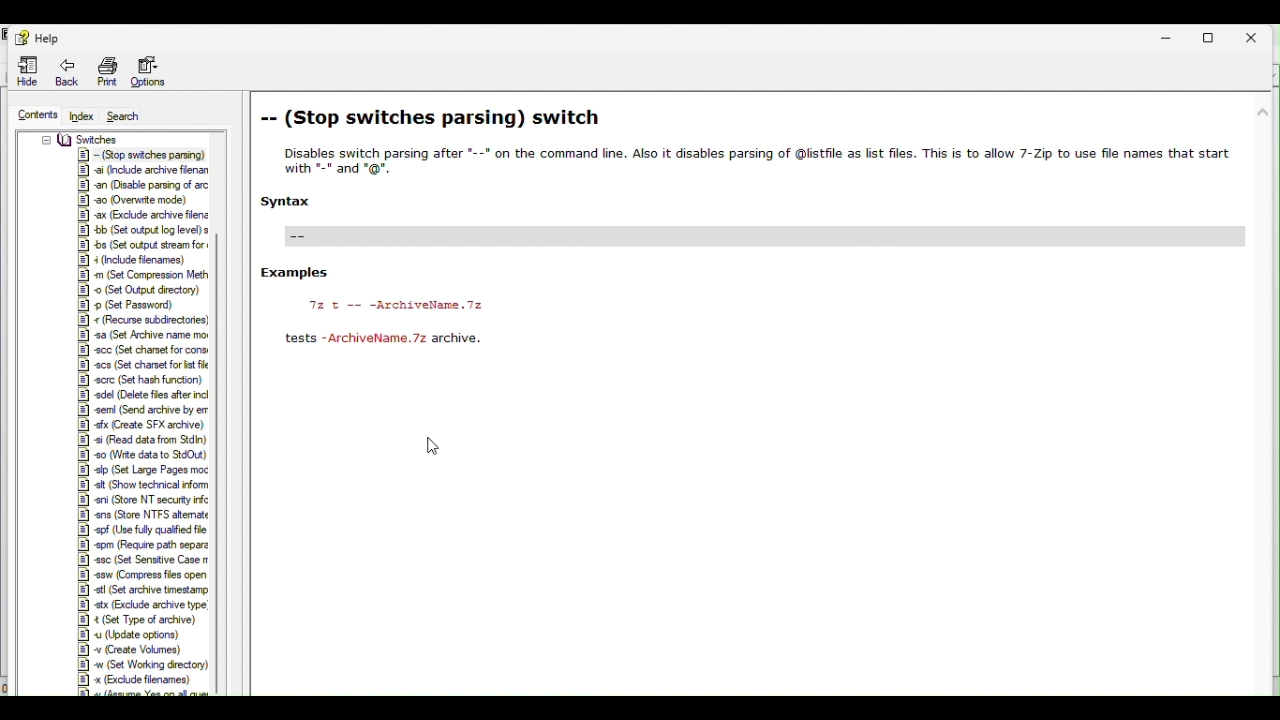 The height and width of the screenshot is (720, 1280). Describe the element at coordinates (144, 663) in the screenshot. I see `` at that location.